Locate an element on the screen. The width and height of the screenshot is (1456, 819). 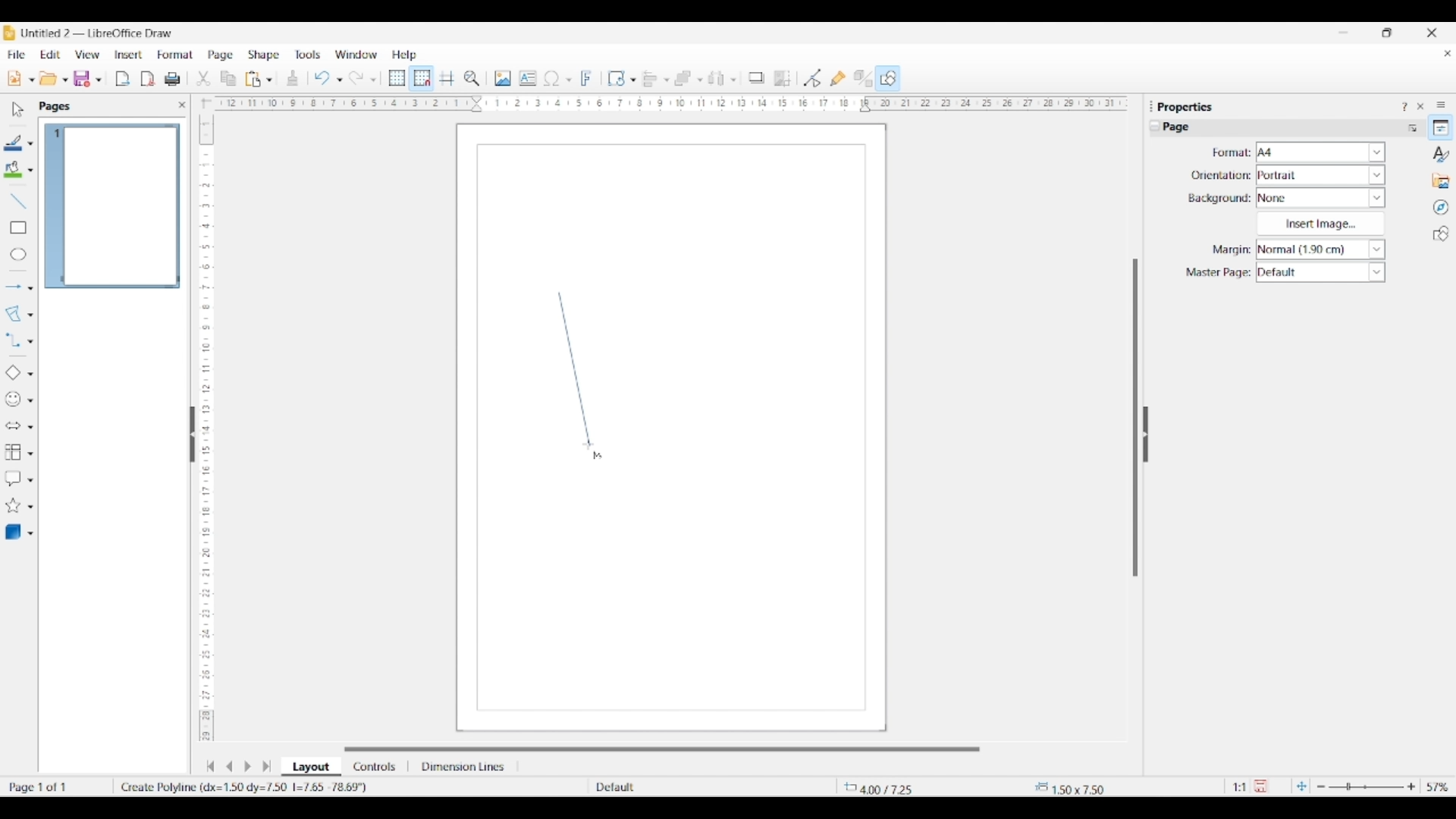
Current page w.r.t. total number of pages is located at coordinates (56, 786).